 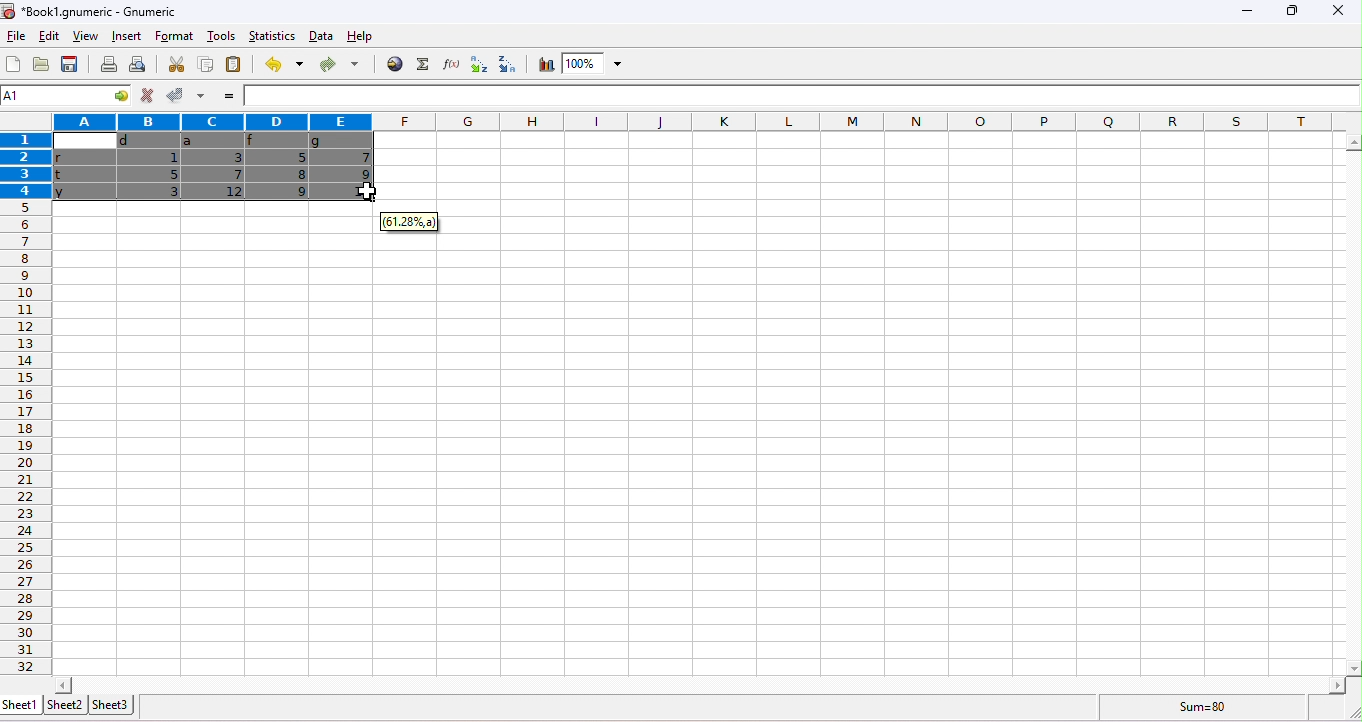 I want to click on zoom, so click(x=592, y=63).